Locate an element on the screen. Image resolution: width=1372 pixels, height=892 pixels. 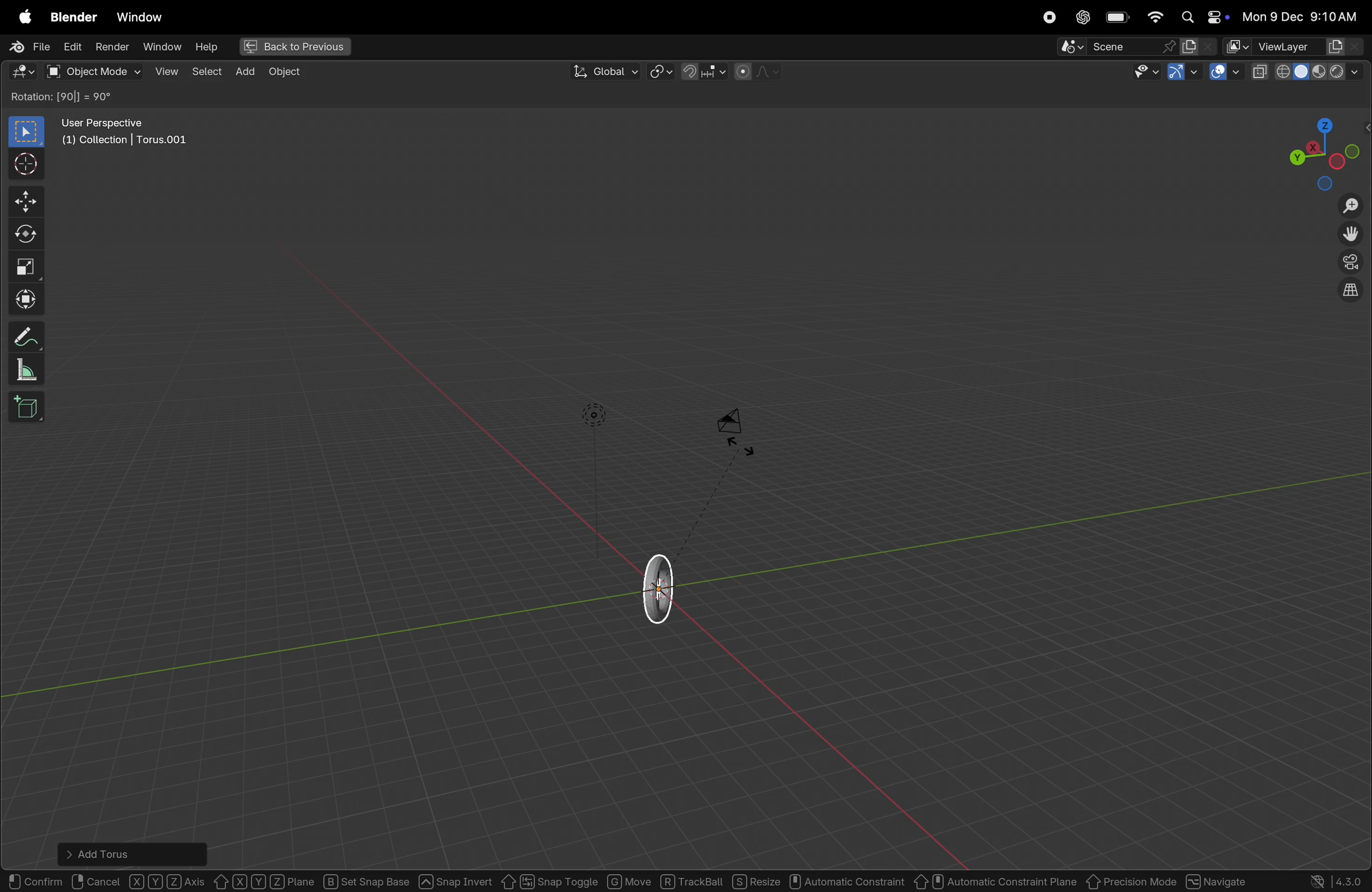
scene is located at coordinates (1118, 47).